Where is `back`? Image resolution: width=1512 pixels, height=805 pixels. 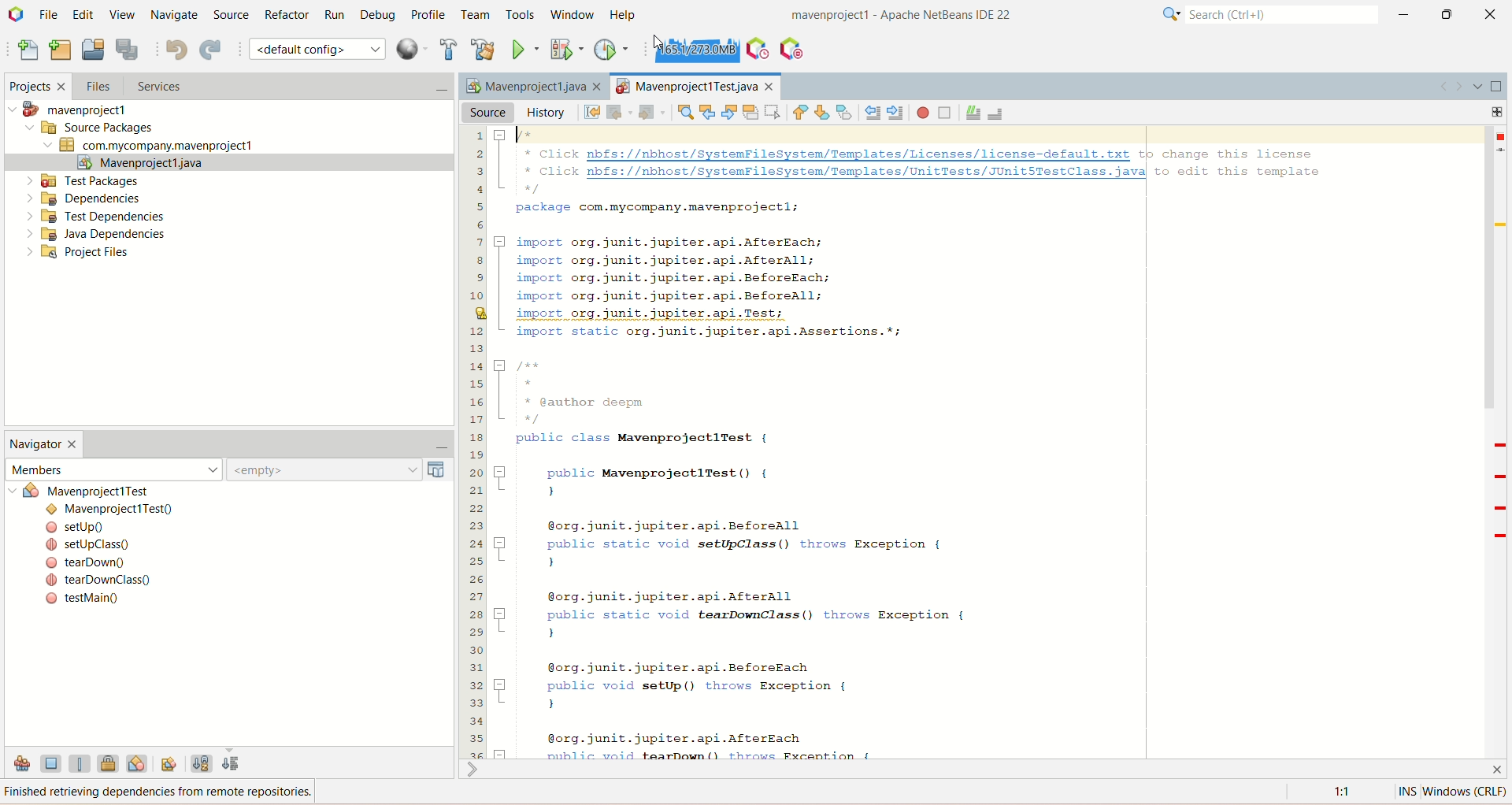 back is located at coordinates (617, 113).